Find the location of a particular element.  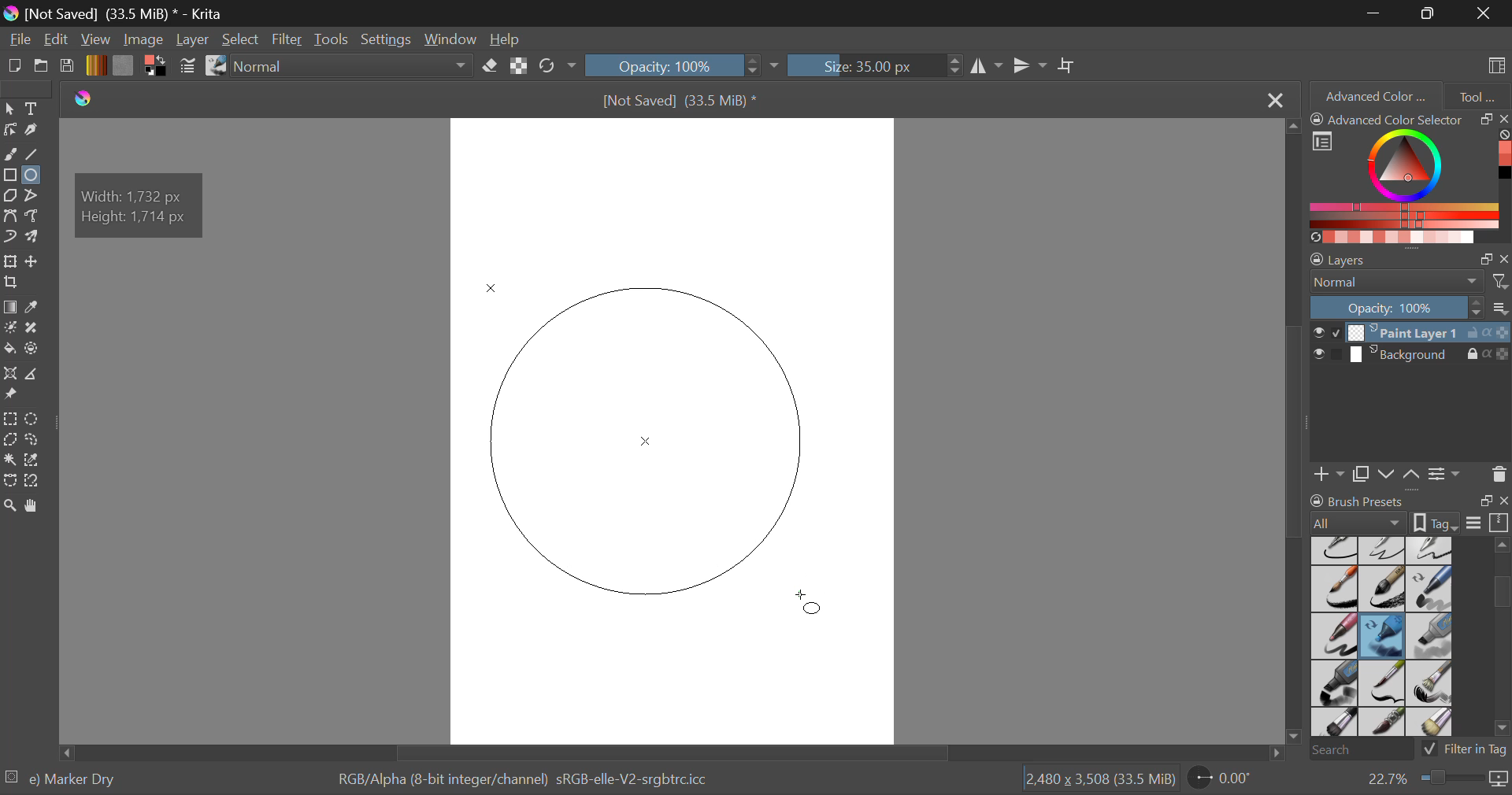

Ink-4 Pen Rough is located at coordinates (1430, 549).